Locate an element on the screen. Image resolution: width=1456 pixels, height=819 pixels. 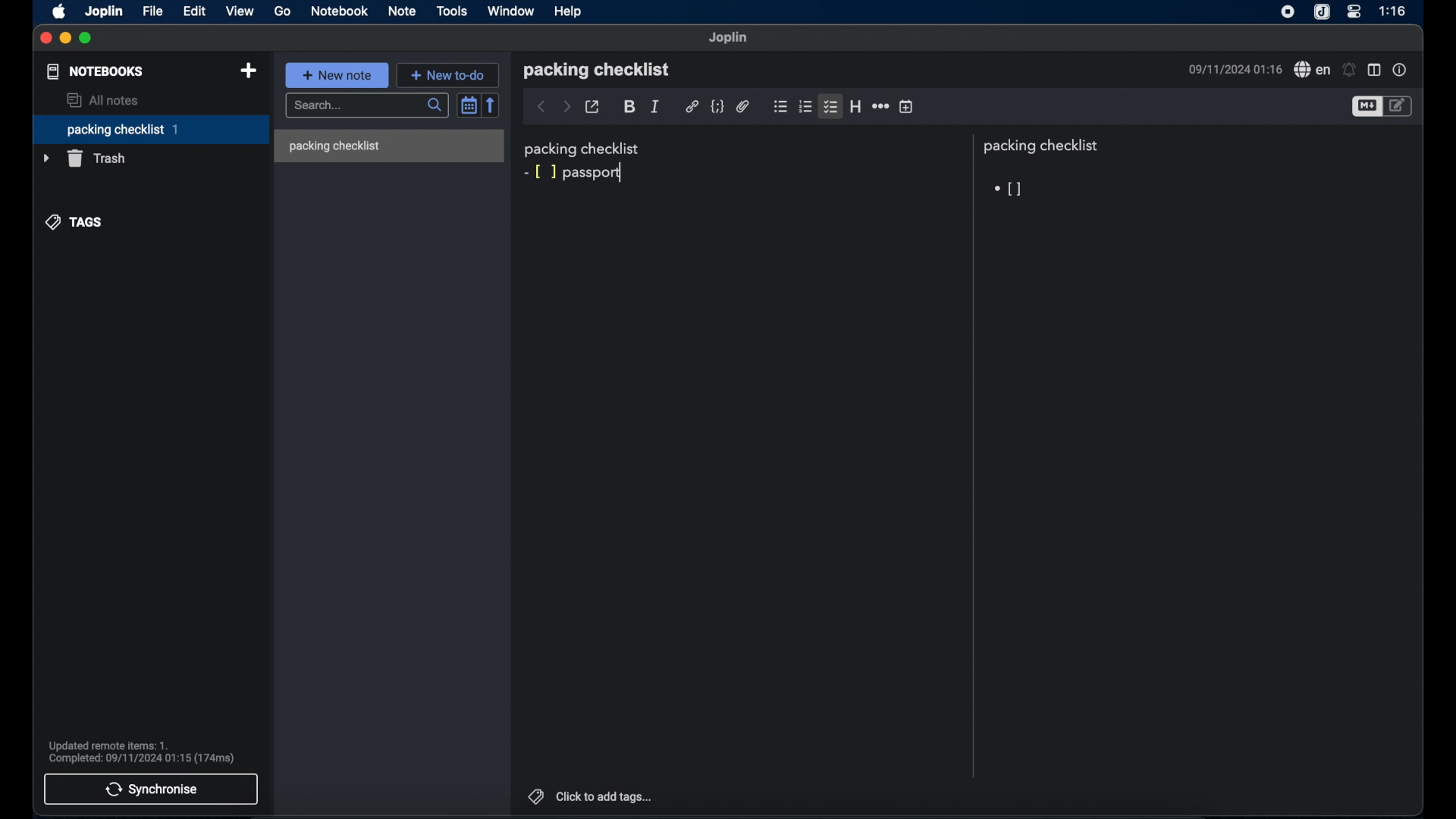
packing checklist is located at coordinates (150, 130).